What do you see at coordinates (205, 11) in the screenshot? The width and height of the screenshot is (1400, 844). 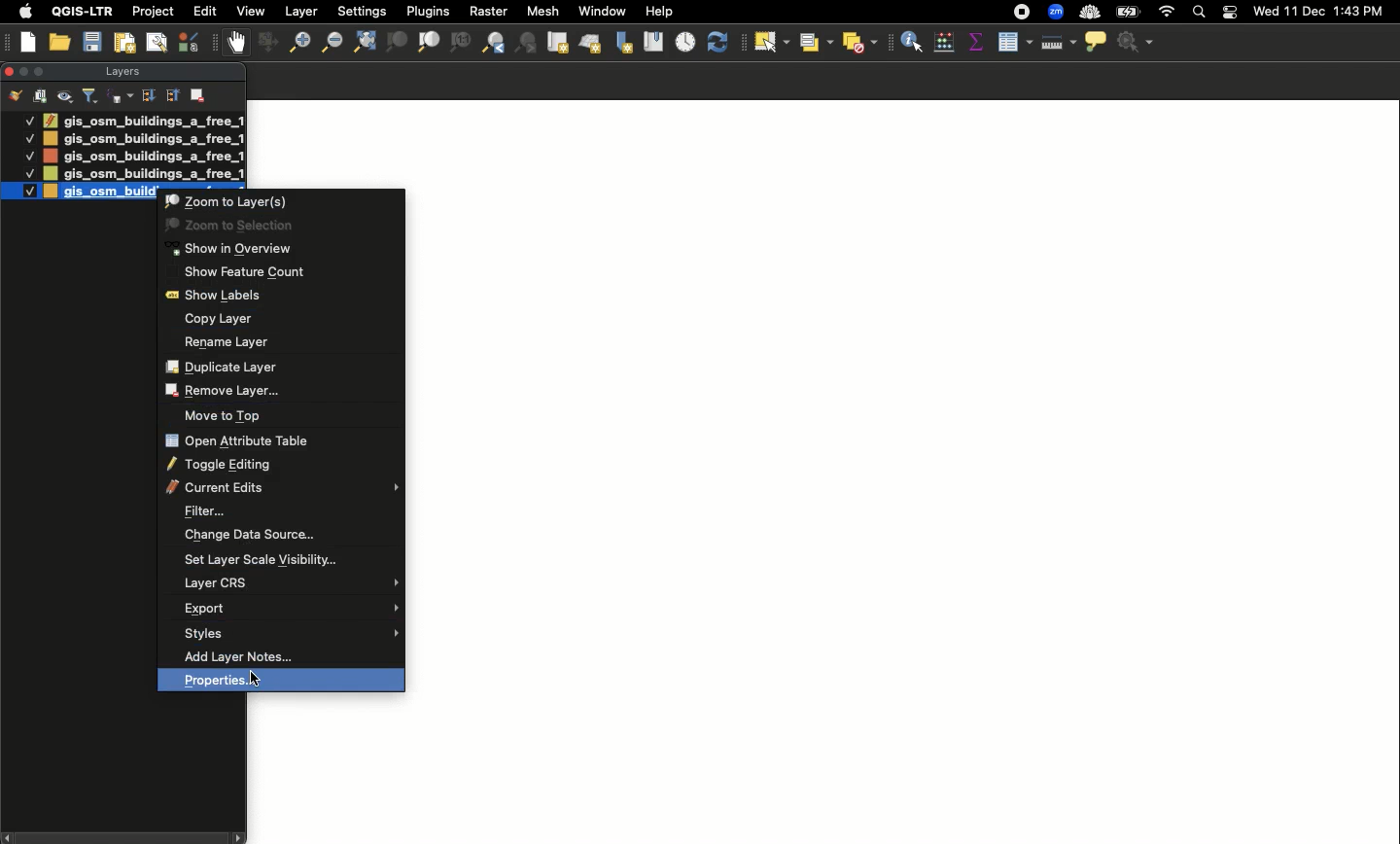 I see `Edit` at bounding box center [205, 11].